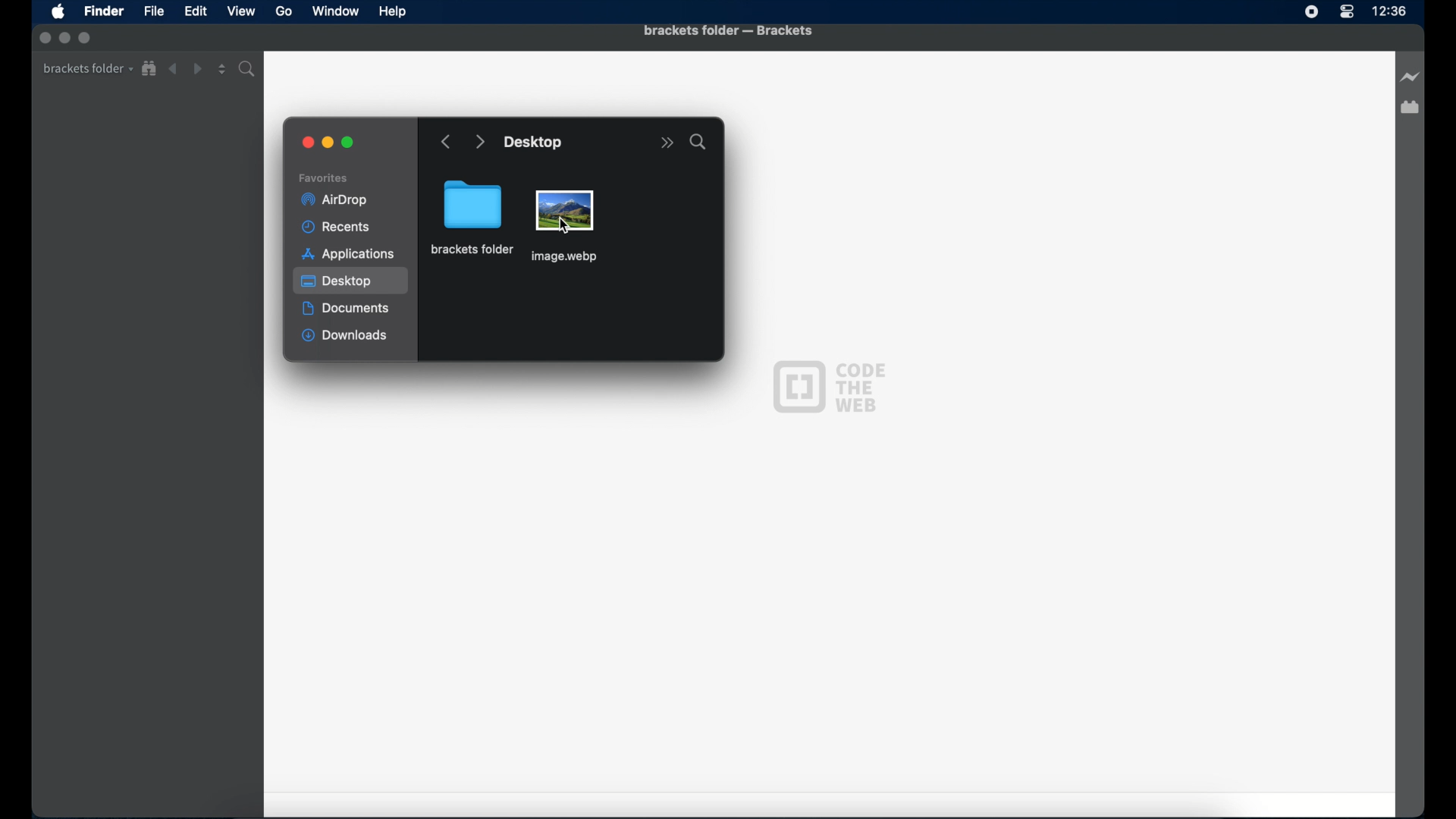 The height and width of the screenshot is (819, 1456). What do you see at coordinates (348, 254) in the screenshot?
I see `applications` at bounding box center [348, 254].